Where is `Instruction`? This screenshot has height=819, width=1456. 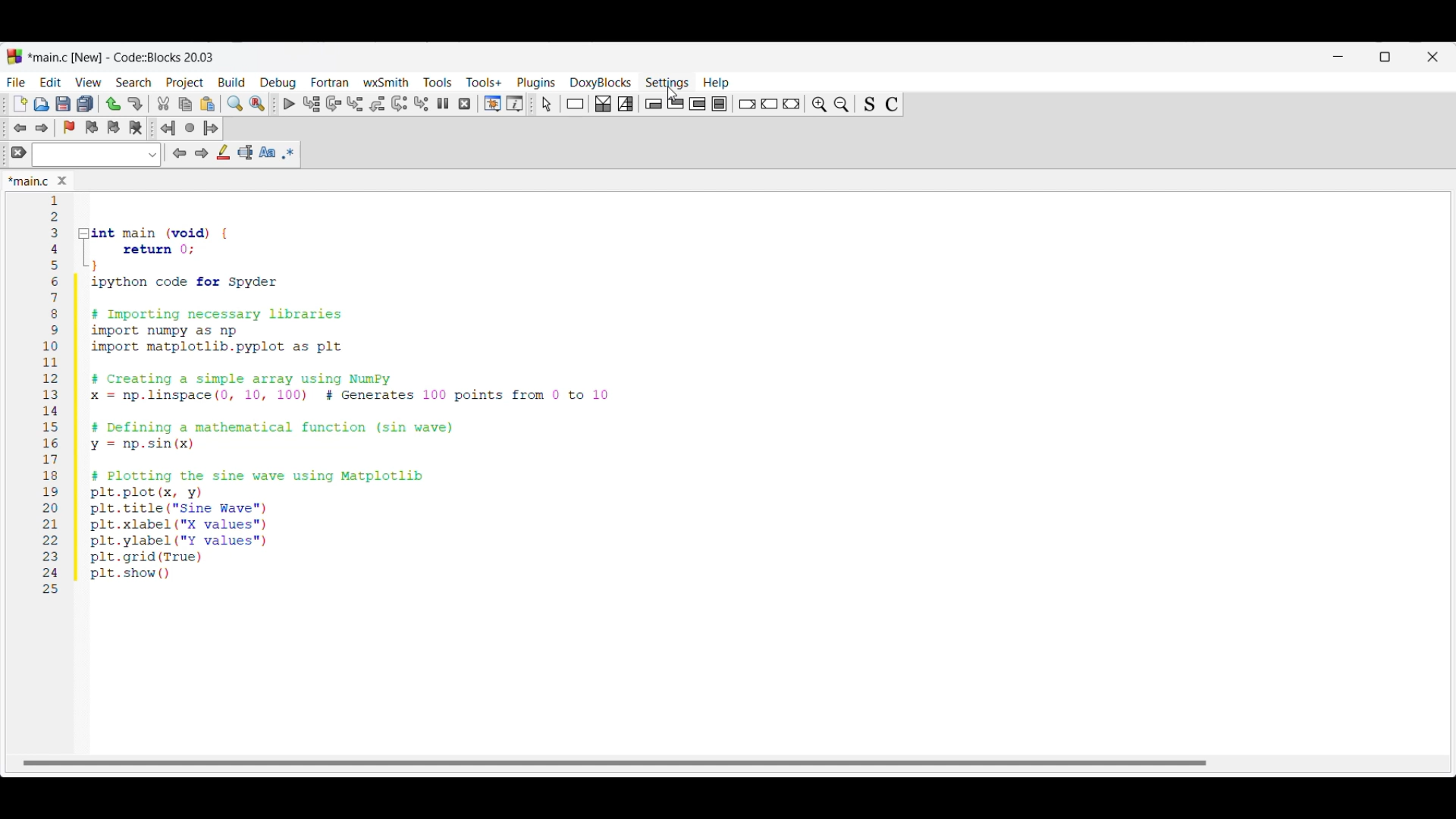
Instruction is located at coordinates (575, 104).